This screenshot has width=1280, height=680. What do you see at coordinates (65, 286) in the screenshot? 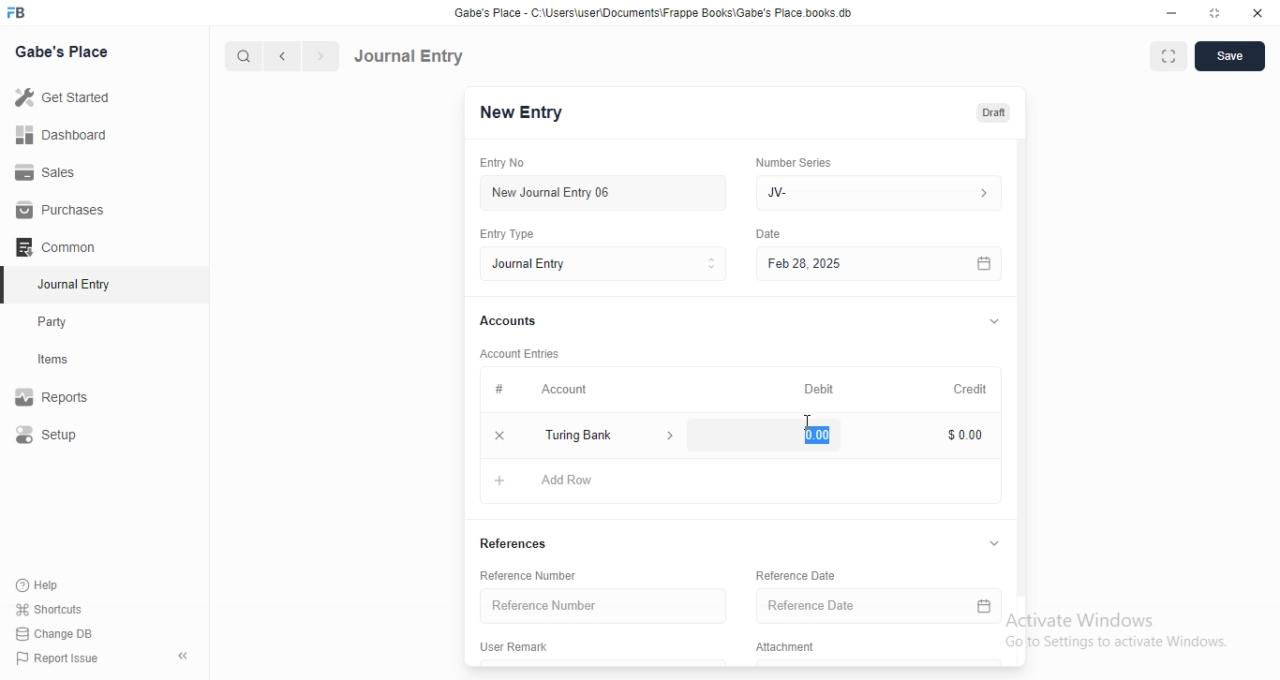
I see `Journal Entry` at bounding box center [65, 286].